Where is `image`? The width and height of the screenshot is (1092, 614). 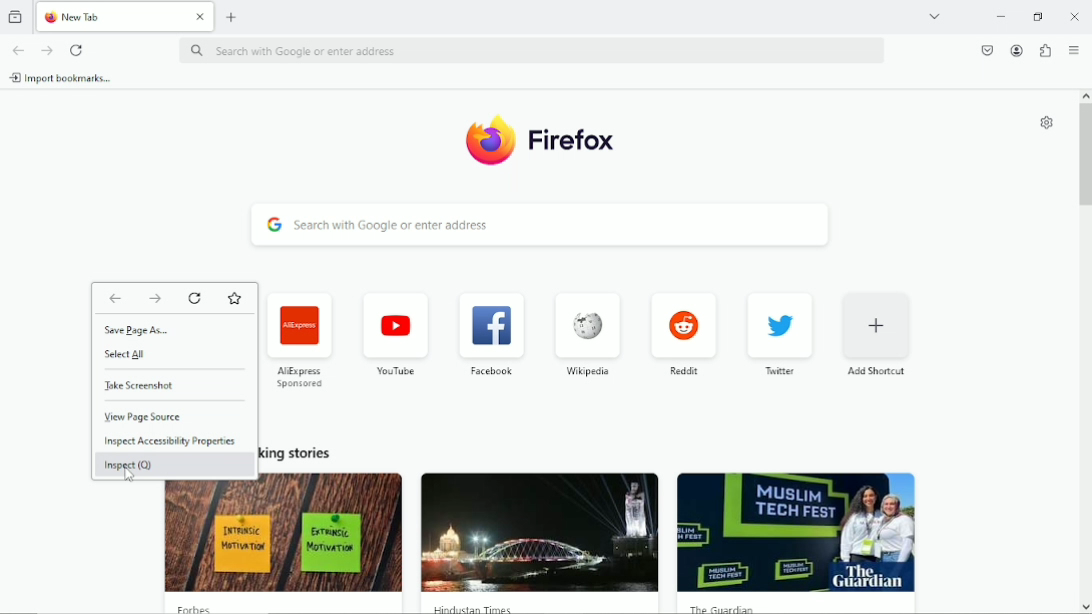 image is located at coordinates (795, 532).